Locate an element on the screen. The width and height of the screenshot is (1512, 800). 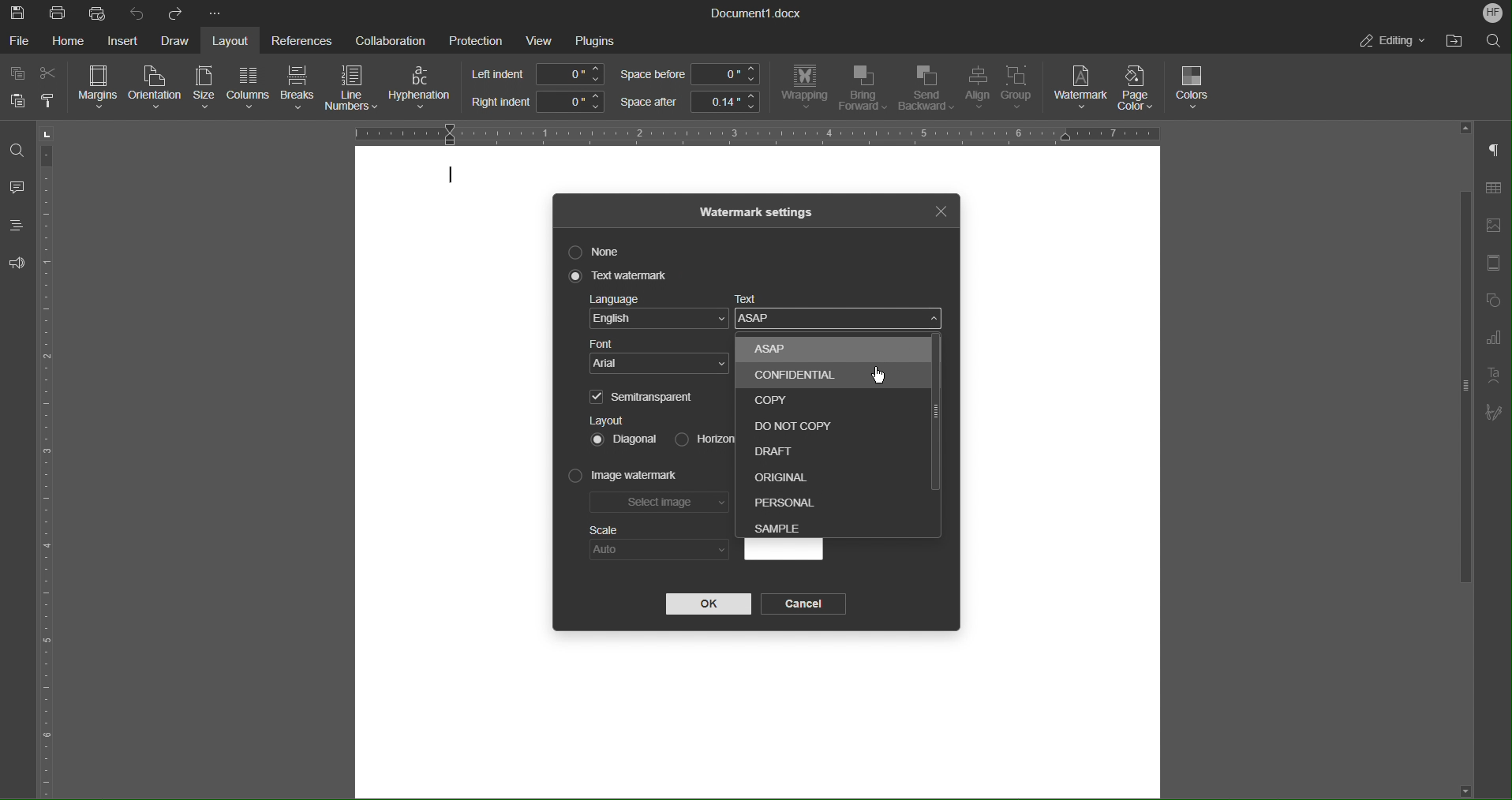
Horizonal is located at coordinates (701, 437).